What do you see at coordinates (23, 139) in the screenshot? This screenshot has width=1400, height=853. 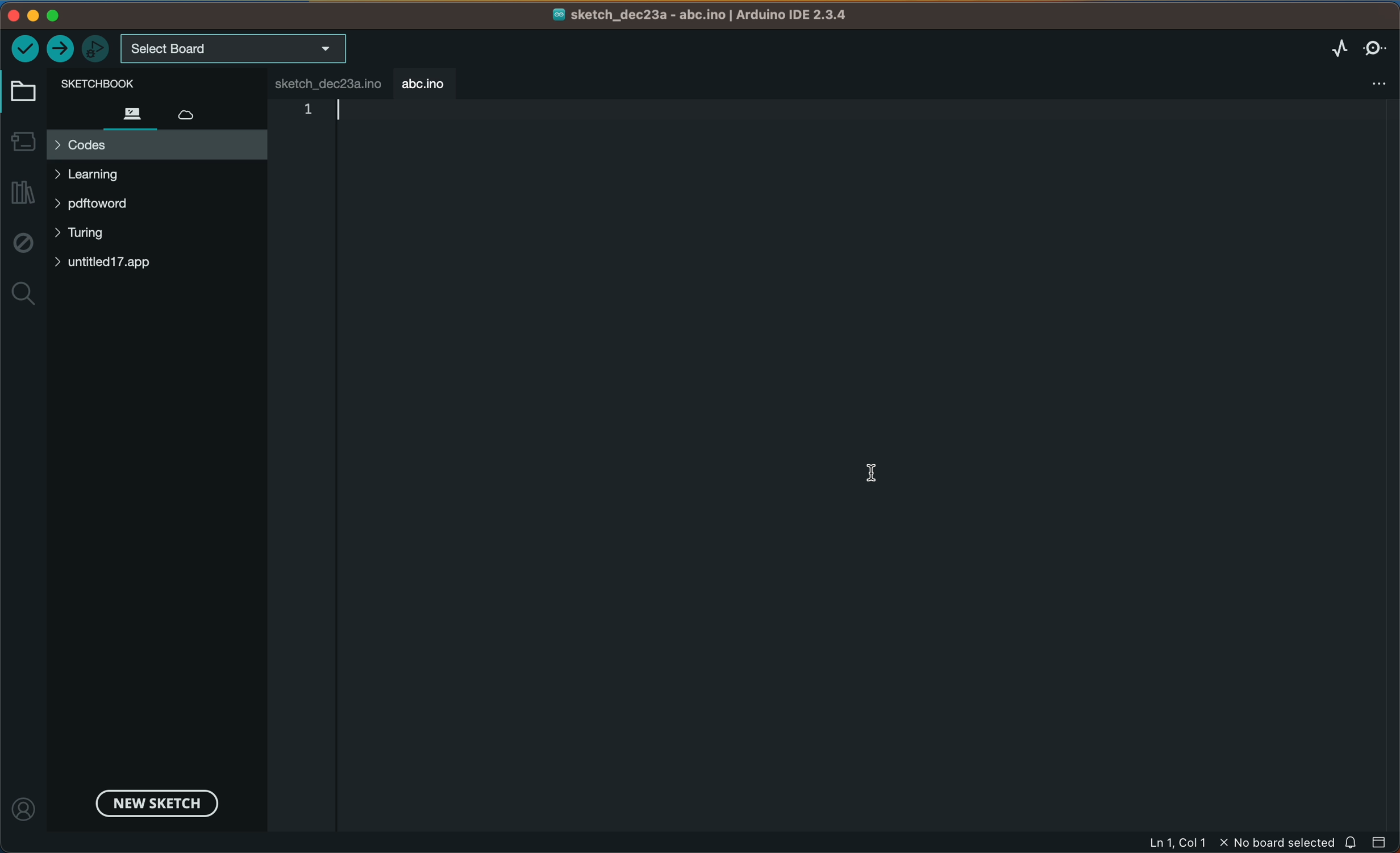 I see `board manager` at bounding box center [23, 139].